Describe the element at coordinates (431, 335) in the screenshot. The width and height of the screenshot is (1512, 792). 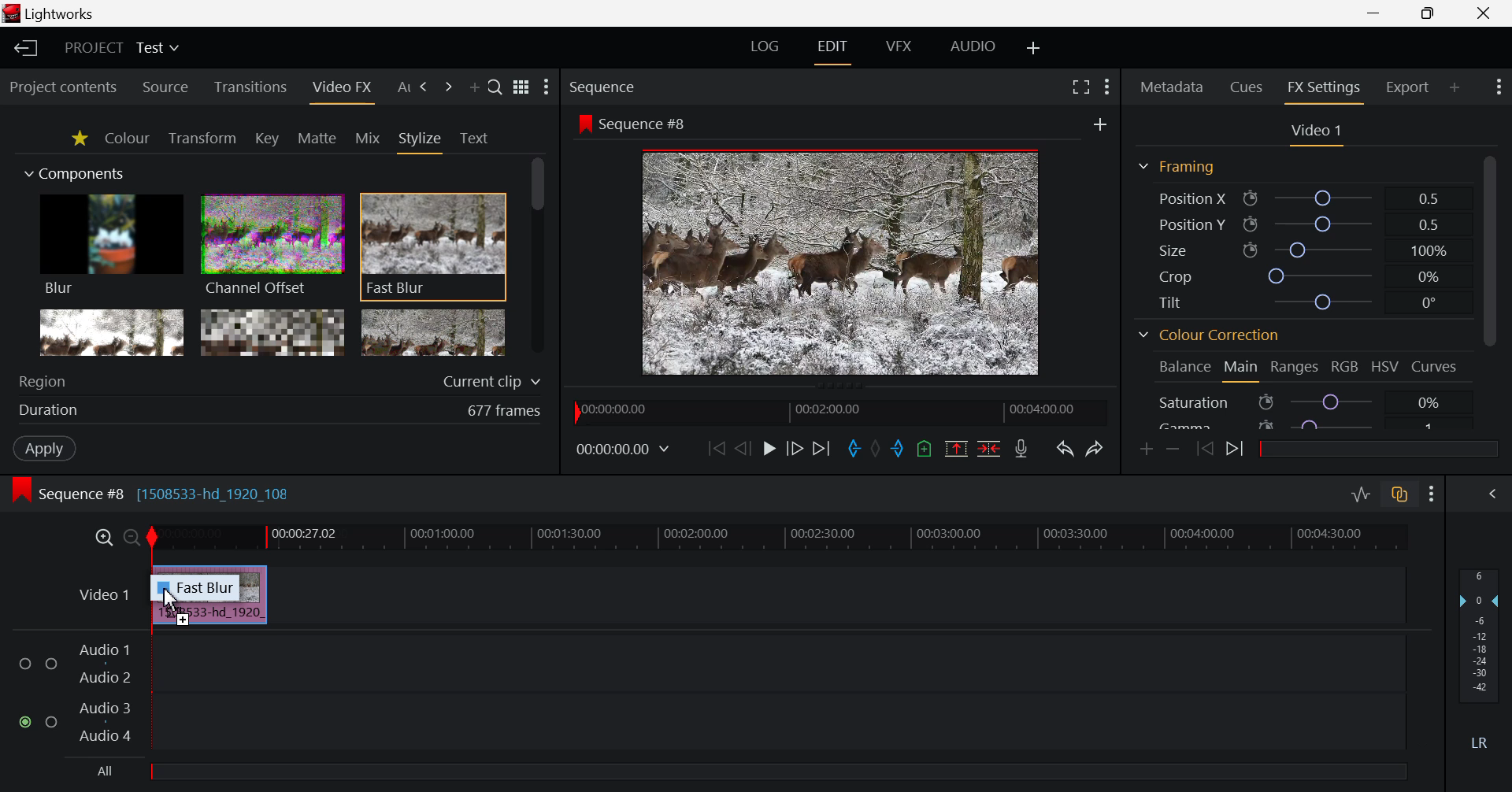
I see `Posterize` at that location.